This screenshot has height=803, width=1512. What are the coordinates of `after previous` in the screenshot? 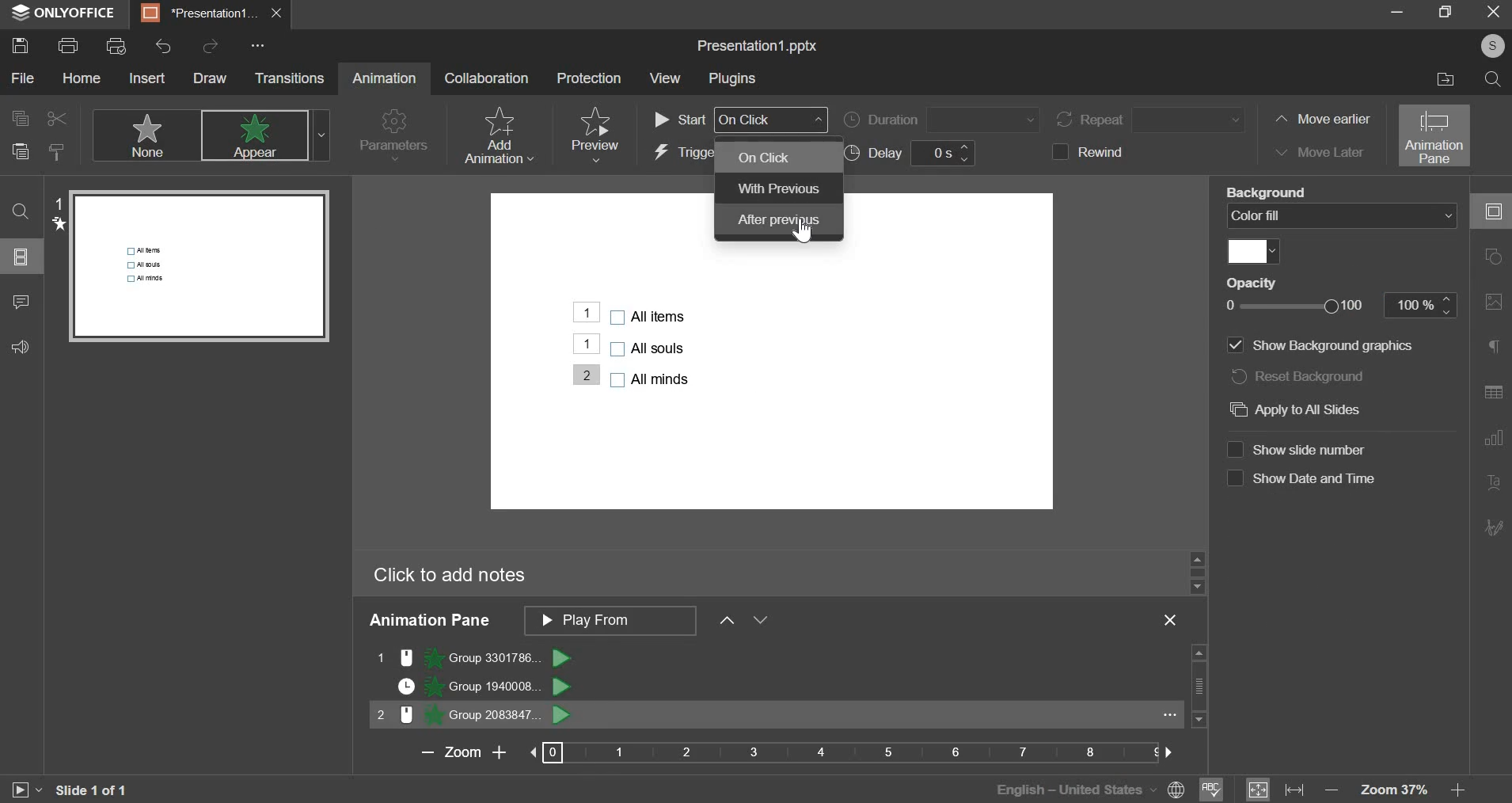 It's located at (780, 221).